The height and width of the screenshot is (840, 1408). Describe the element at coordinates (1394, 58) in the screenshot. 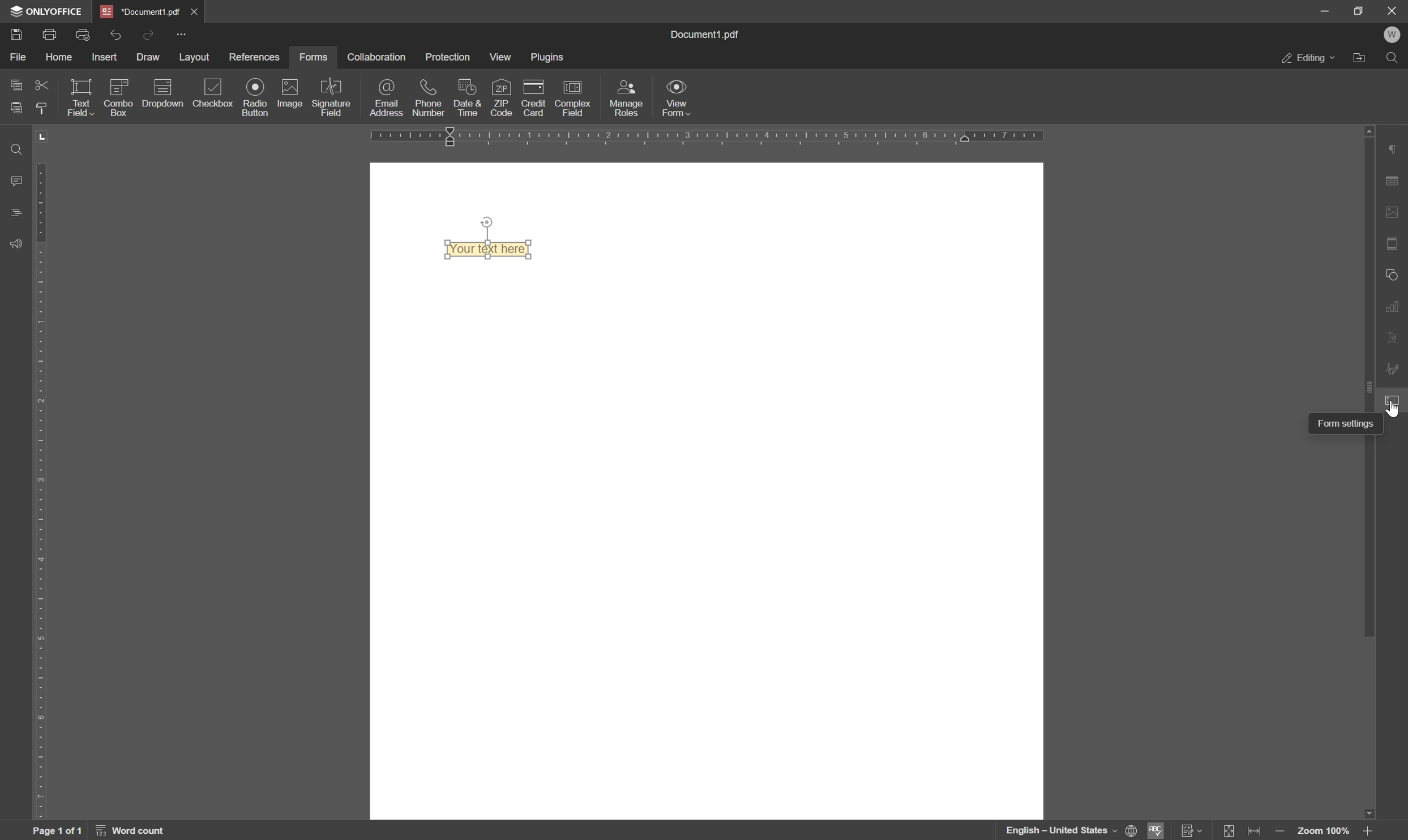

I see `find` at that location.